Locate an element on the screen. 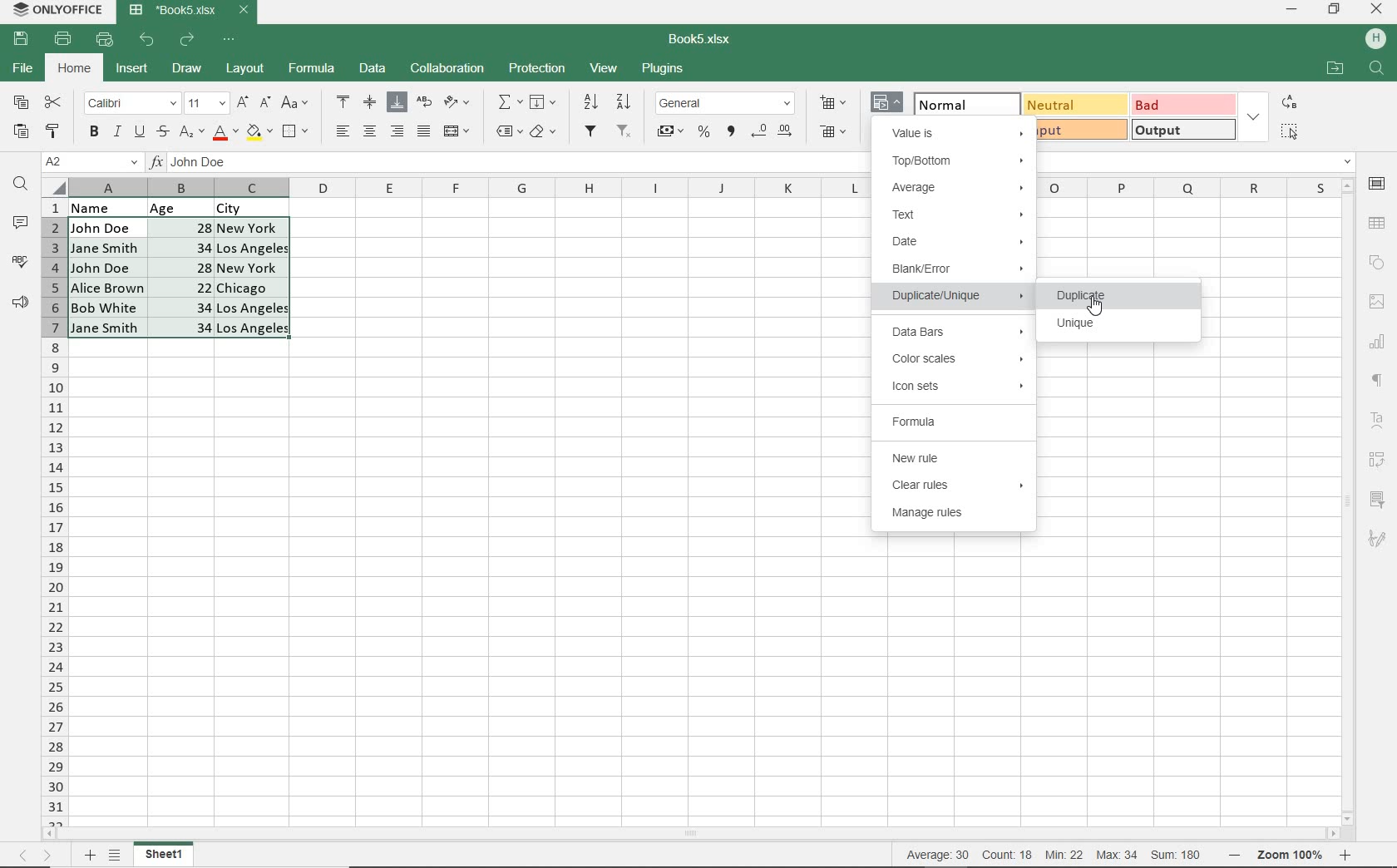 The image size is (1397, 868). SORT DESCENDING is located at coordinates (625, 101).